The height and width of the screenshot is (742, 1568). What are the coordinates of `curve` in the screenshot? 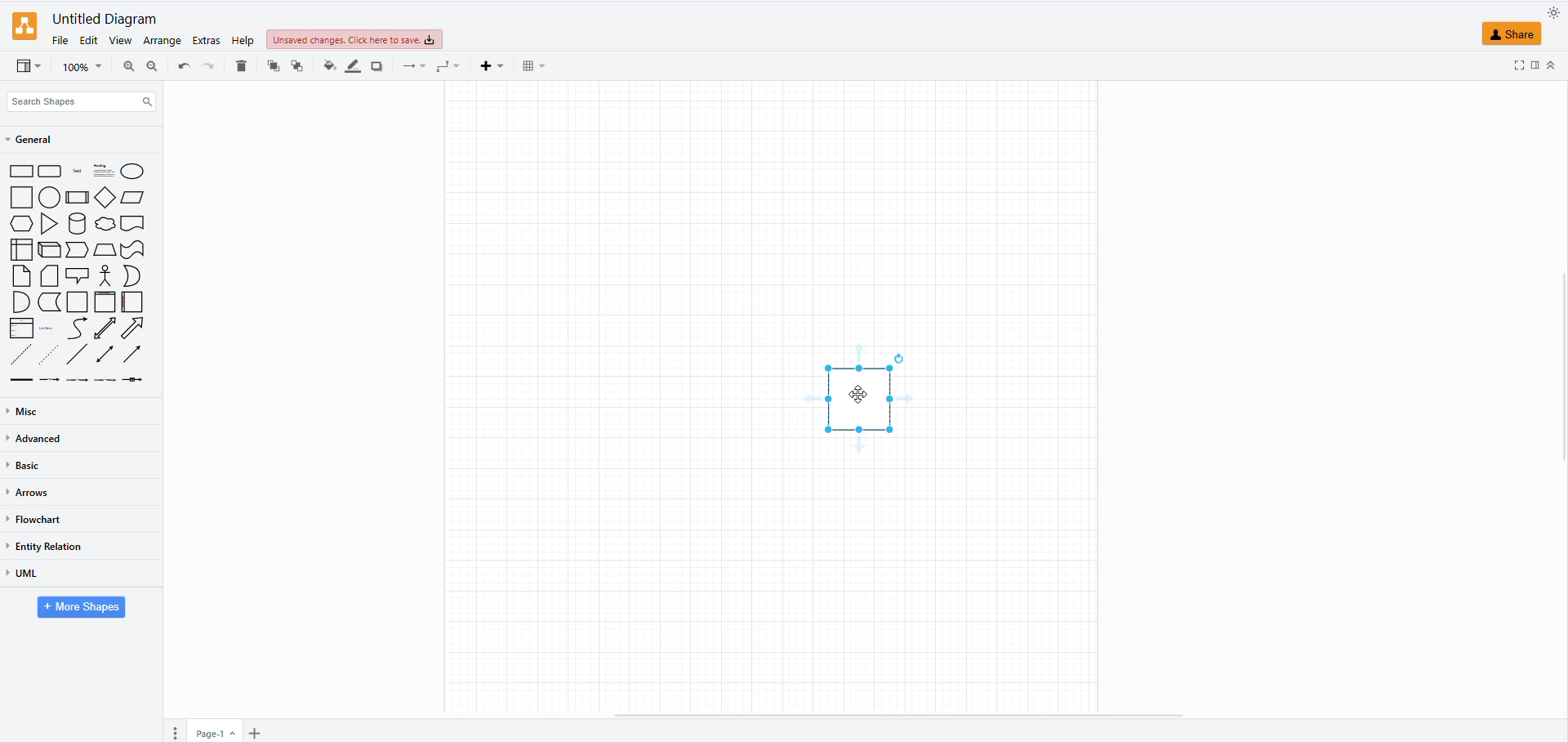 It's located at (78, 328).